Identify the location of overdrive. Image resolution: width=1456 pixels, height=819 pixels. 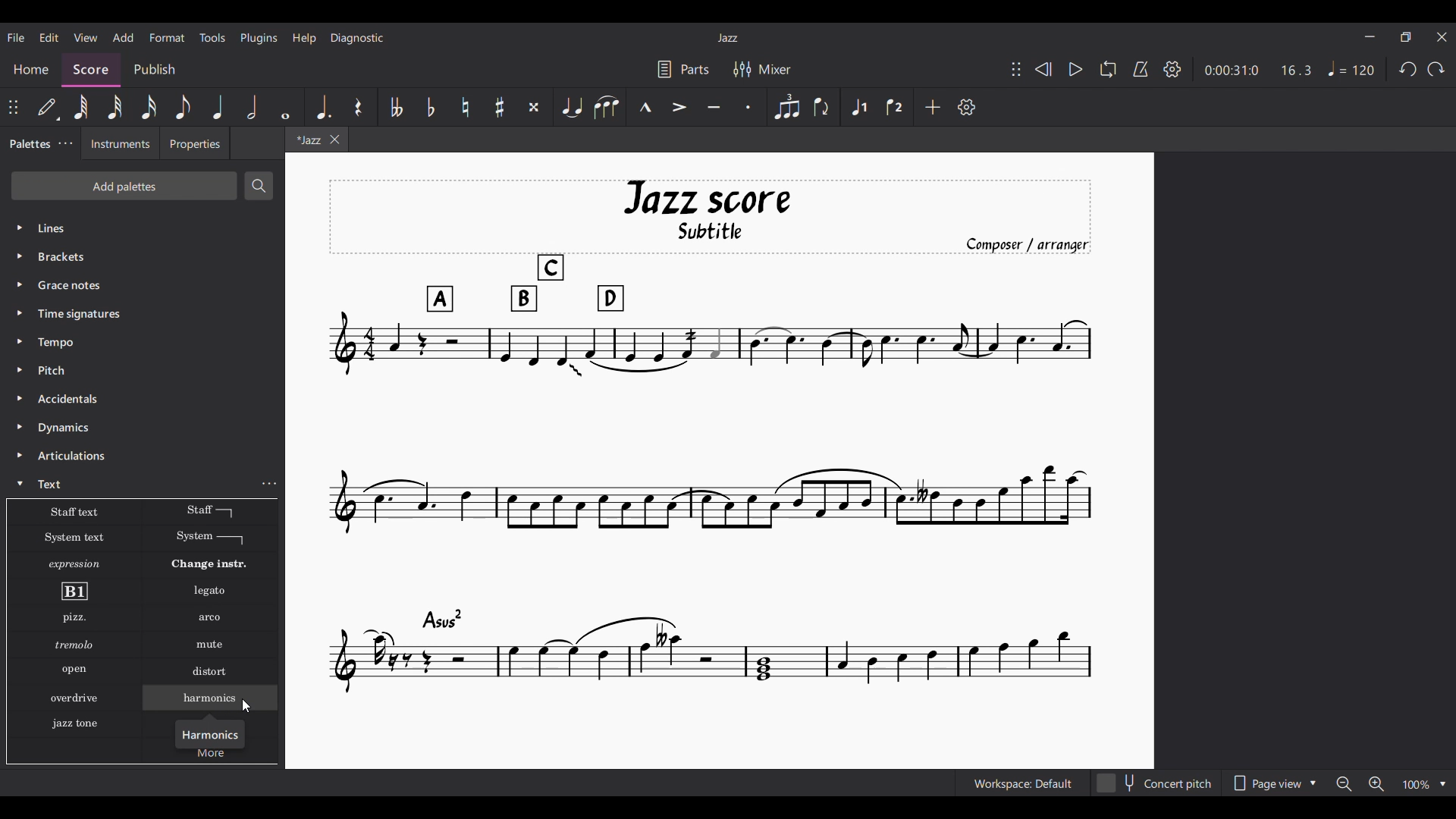
(75, 700).